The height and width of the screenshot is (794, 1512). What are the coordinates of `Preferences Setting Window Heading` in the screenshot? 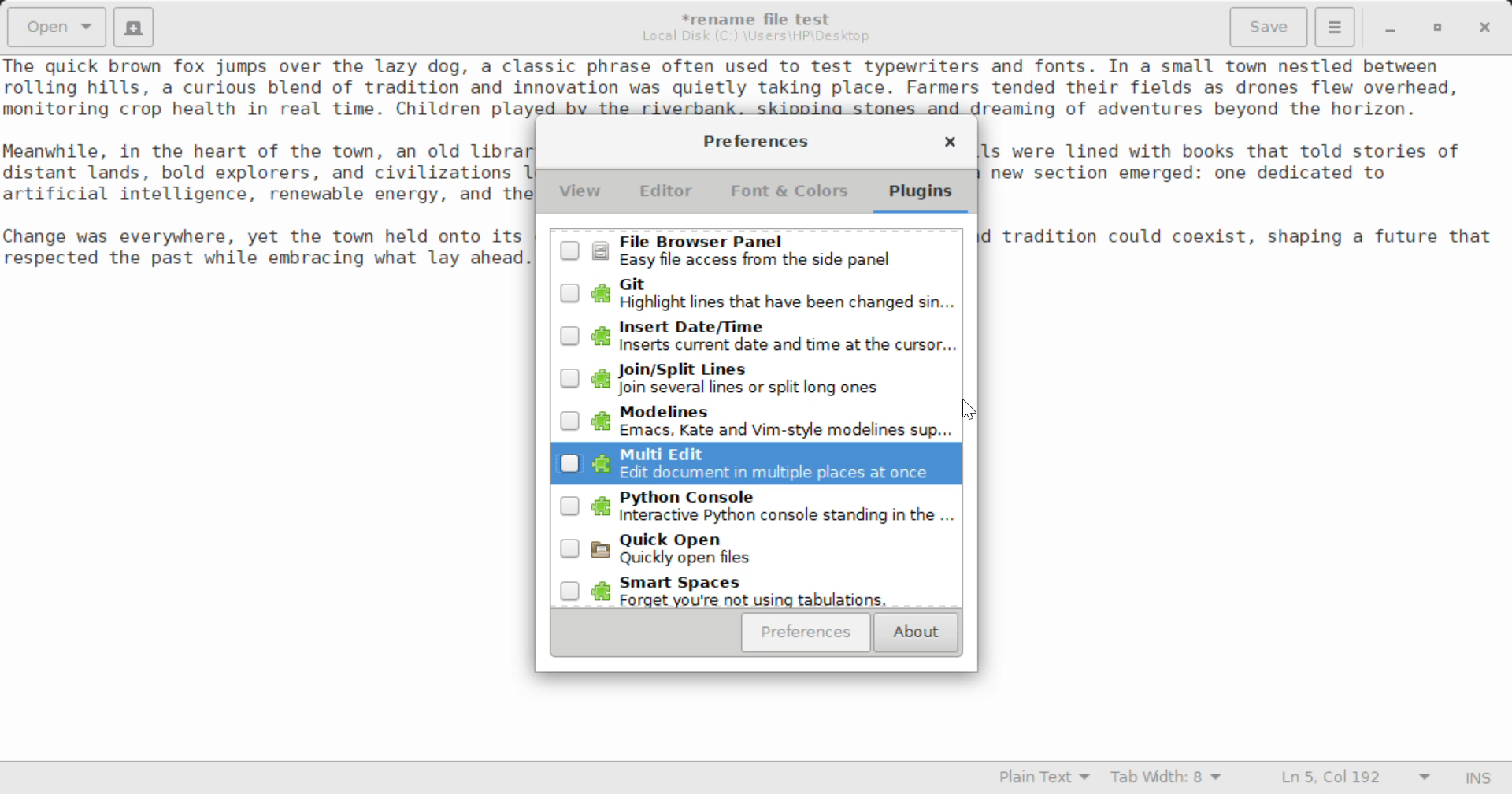 It's located at (755, 141).